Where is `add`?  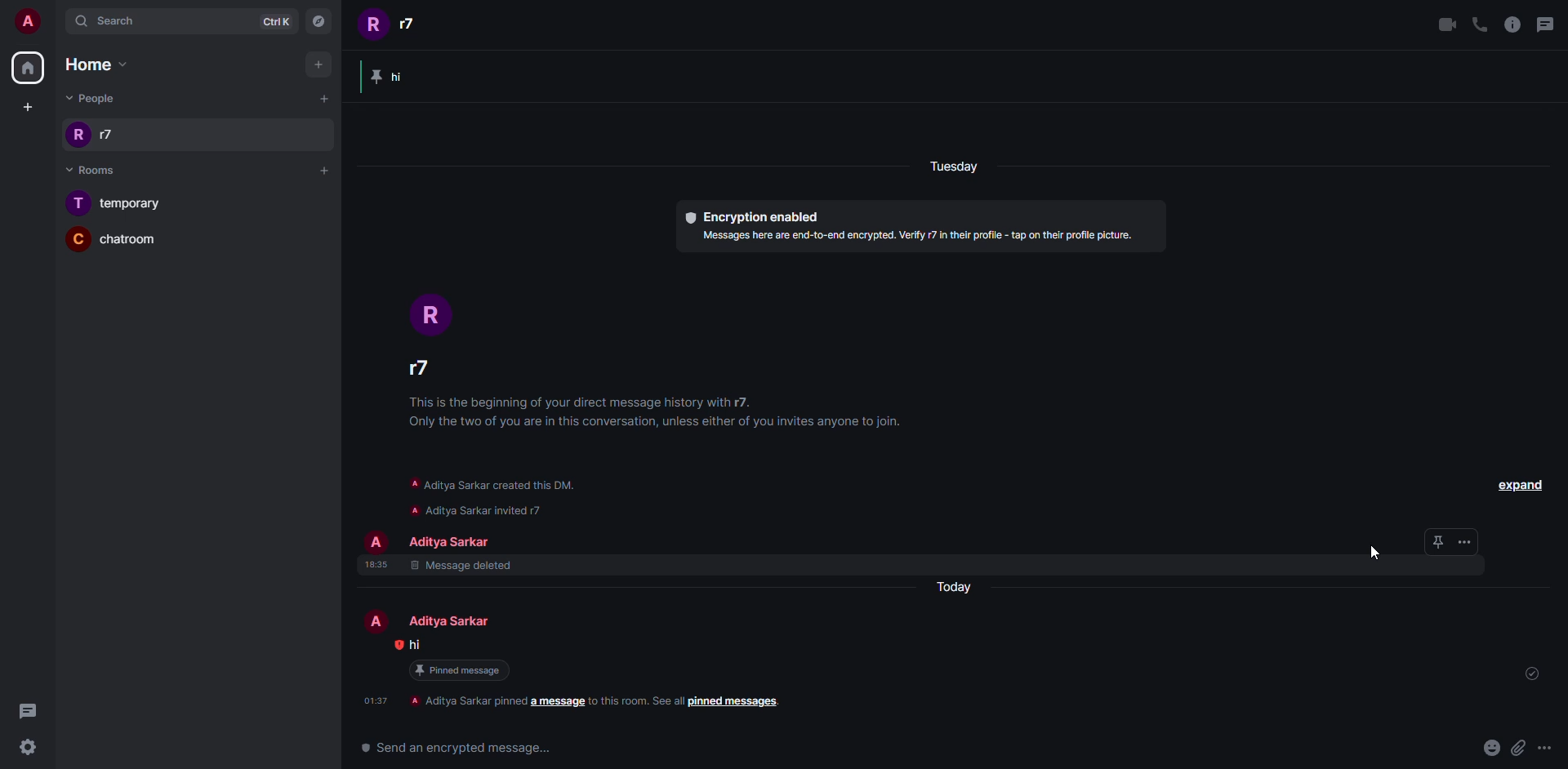
add is located at coordinates (325, 97).